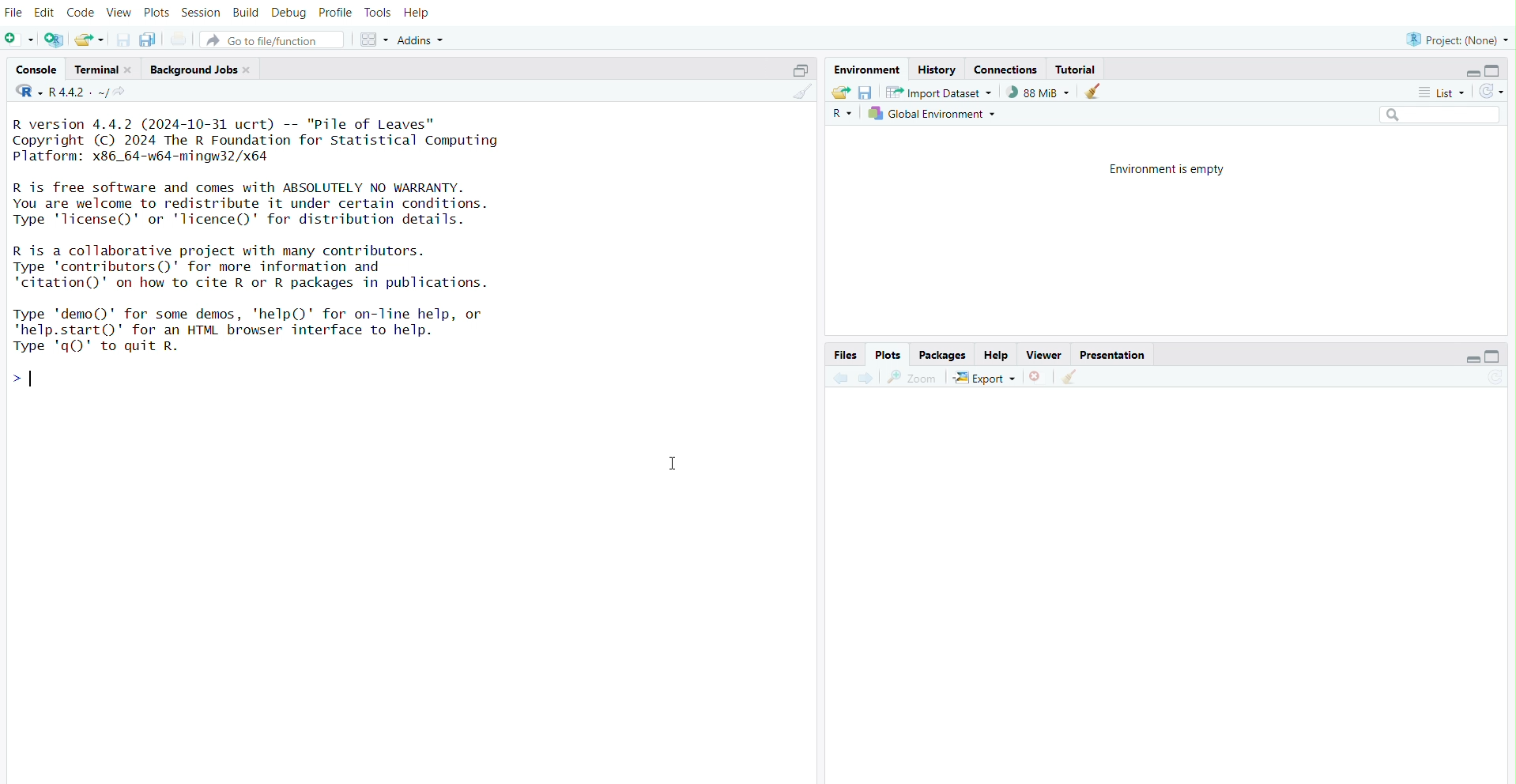 This screenshot has width=1516, height=784. Describe the element at coordinates (1046, 355) in the screenshot. I see `viewer` at that location.